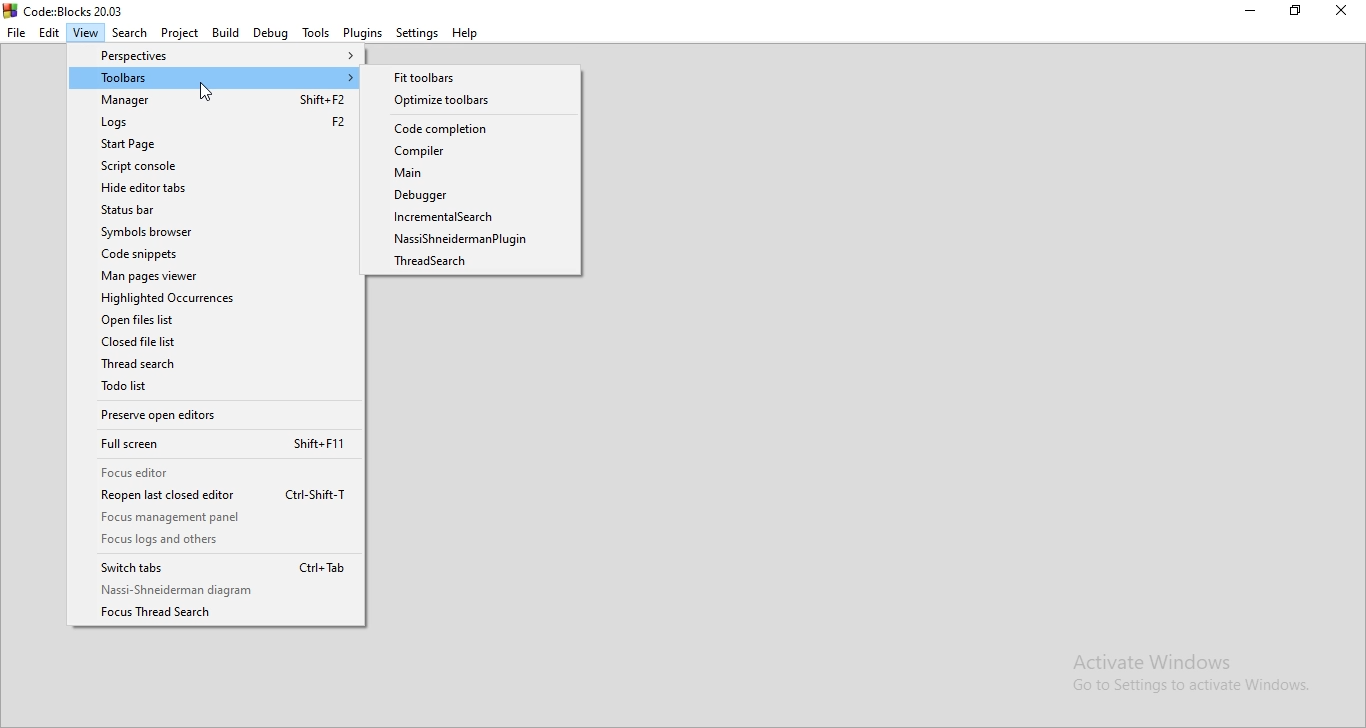 This screenshot has width=1366, height=728. What do you see at coordinates (471, 175) in the screenshot?
I see `Main` at bounding box center [471, 175].